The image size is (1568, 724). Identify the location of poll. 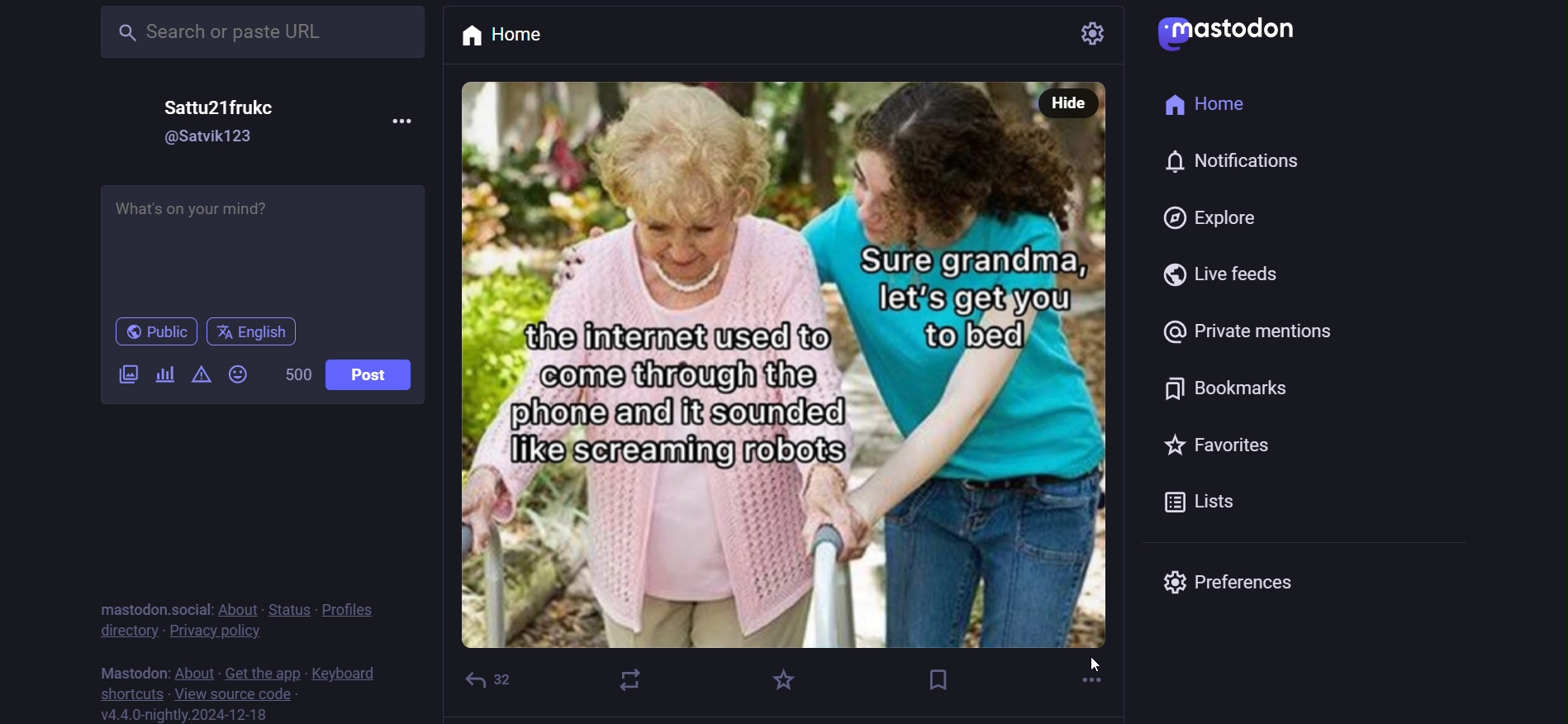
(164, 374).